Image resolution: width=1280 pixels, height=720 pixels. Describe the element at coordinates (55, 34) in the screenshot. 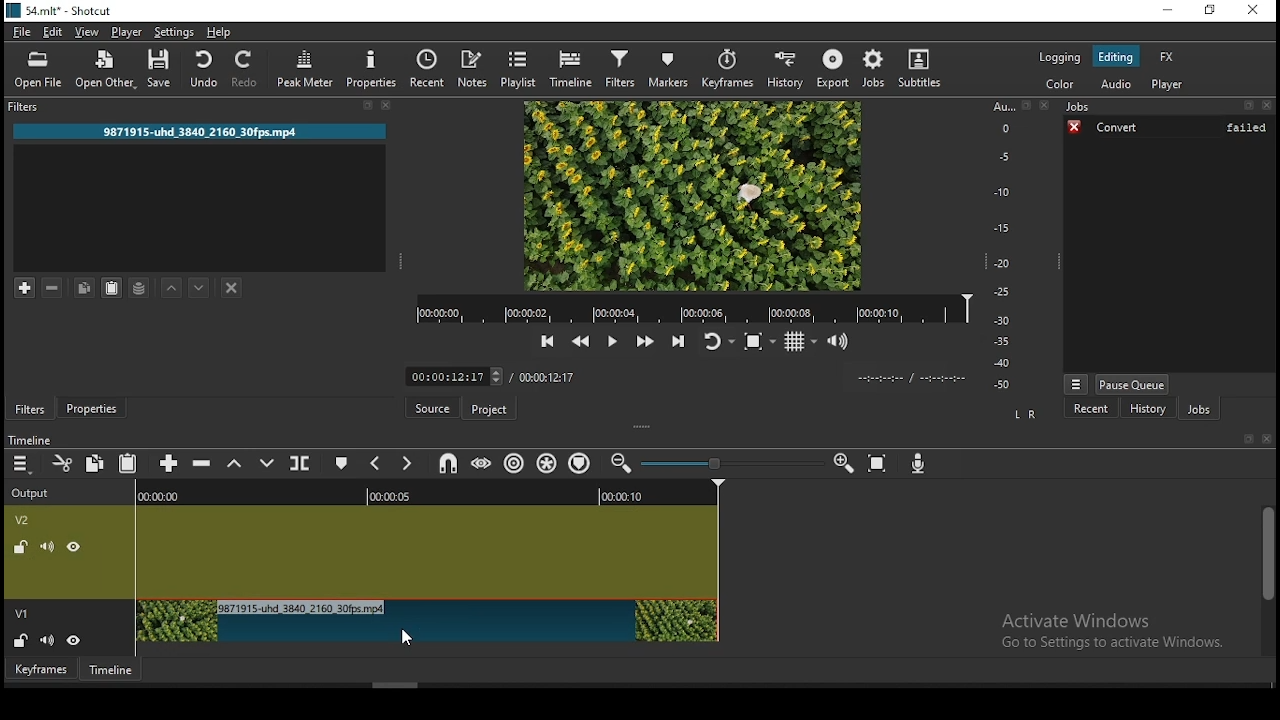

I see `edit` at that location.